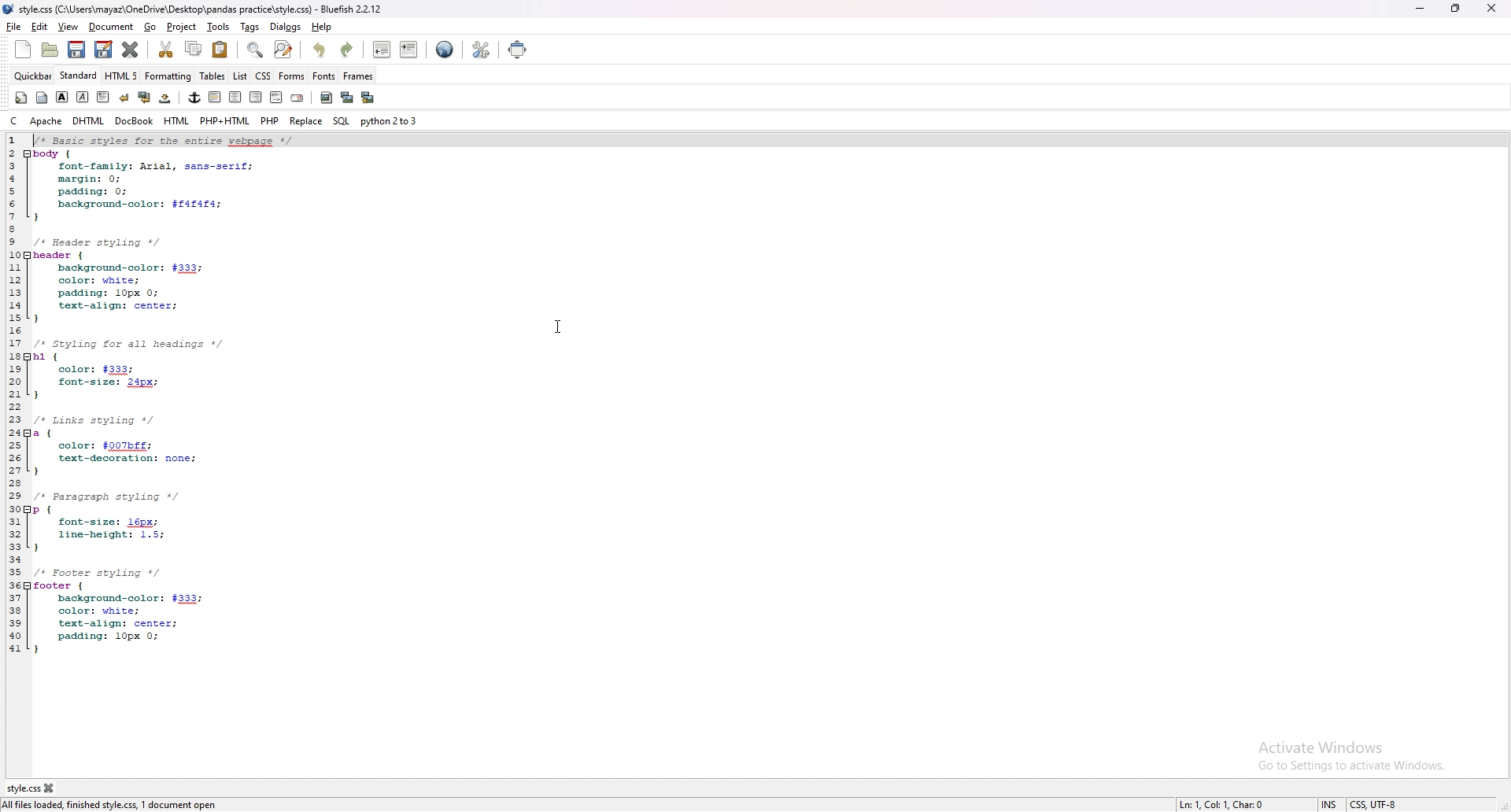 This screenshot has height=812, width=1511. What do you see at coordinates (9, 8) in the screenshot?
I see `logo` at bounding box center [9, 8].